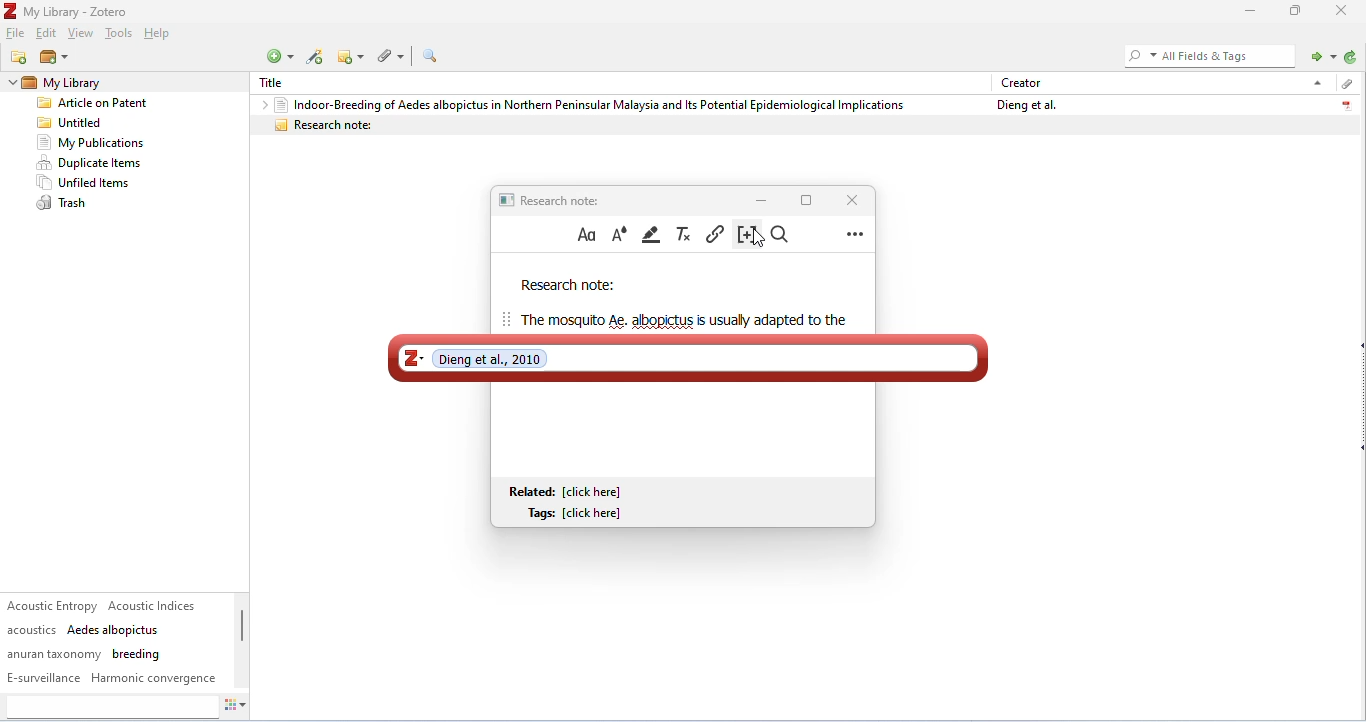 The image size is (1366, 722). I want to click on minimize, so click(1247, 11).